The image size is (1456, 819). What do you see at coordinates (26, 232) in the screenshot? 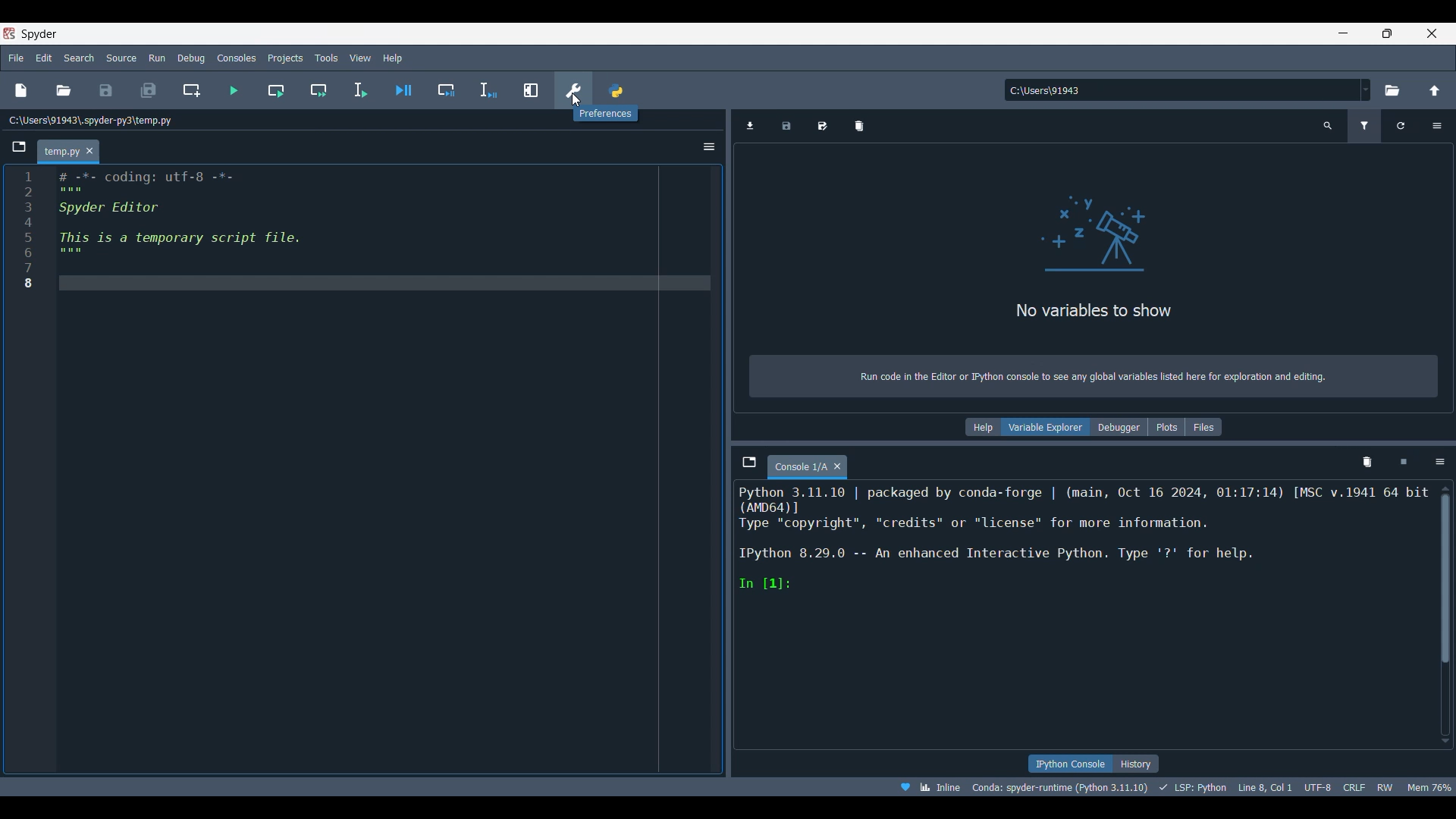
I see `1
2
ES
4
BD;
6
7
8` at bounding box center [26, 232].